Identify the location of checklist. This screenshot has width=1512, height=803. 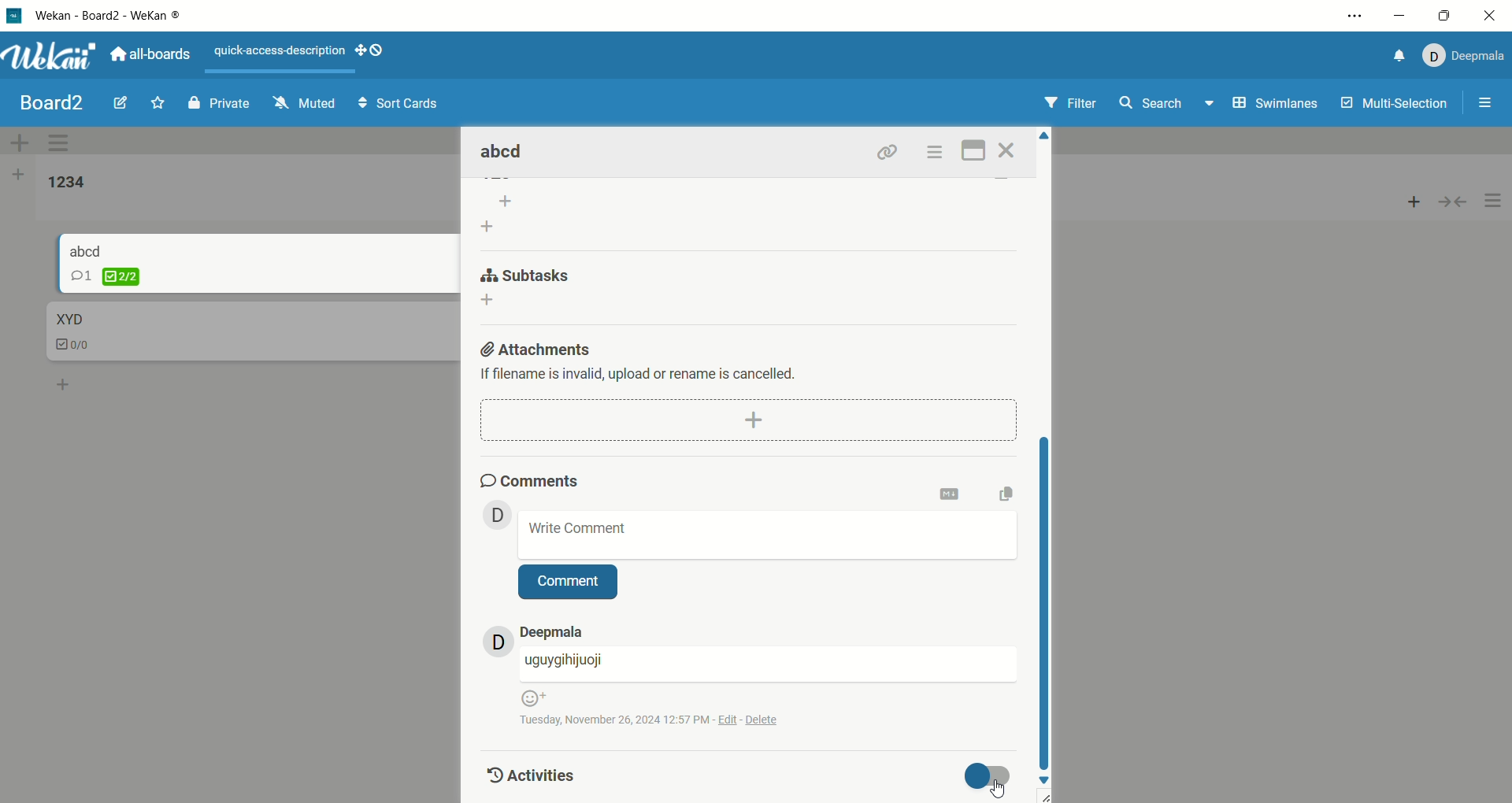
(106, 276).